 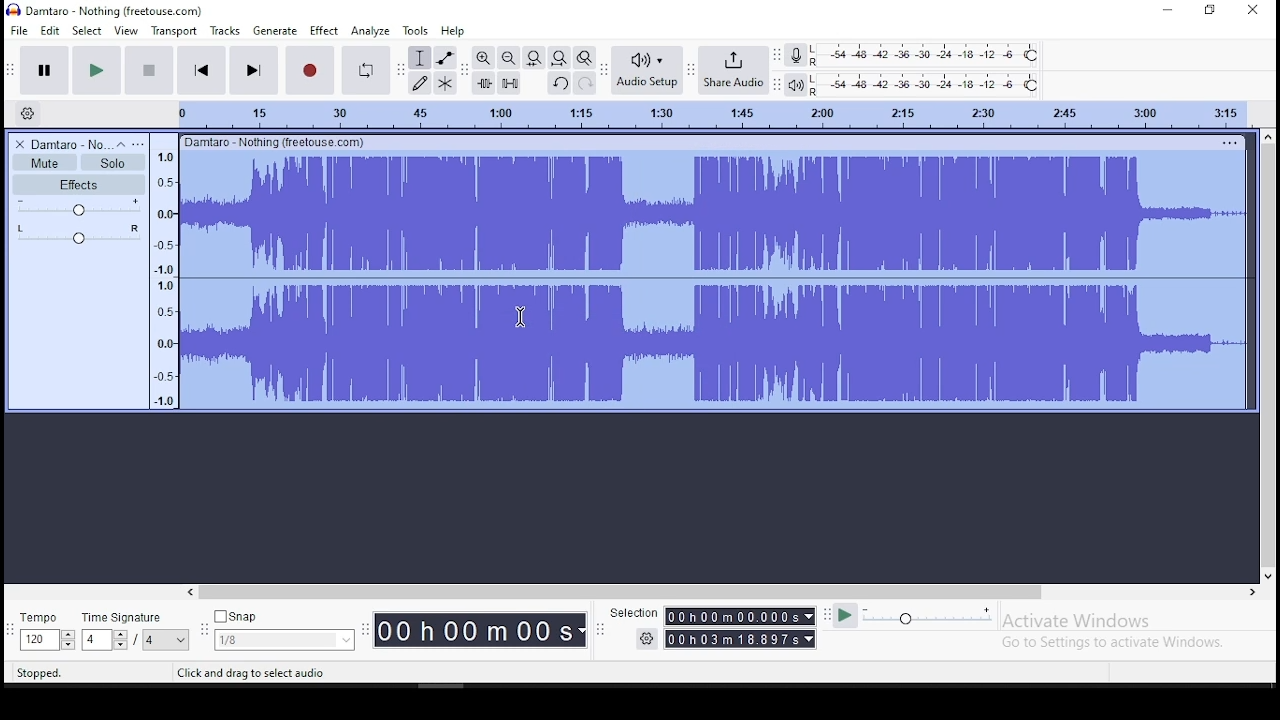 What do you see at coordinates (51, 30) in the screenshot?
I see `edit` at bounding box center [51, 30].